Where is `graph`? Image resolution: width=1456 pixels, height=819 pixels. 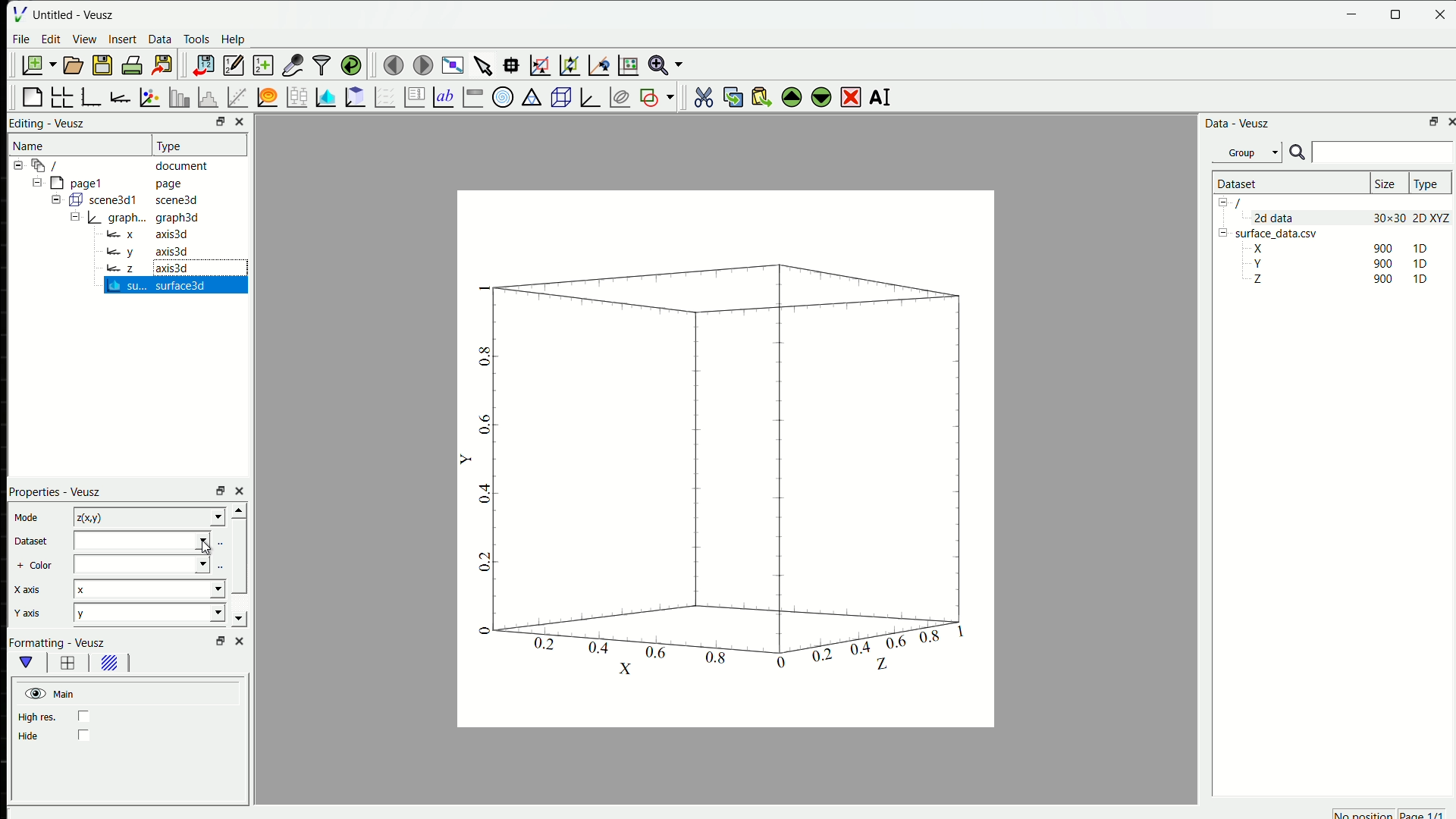
graph is located at coordinates (726, 475).